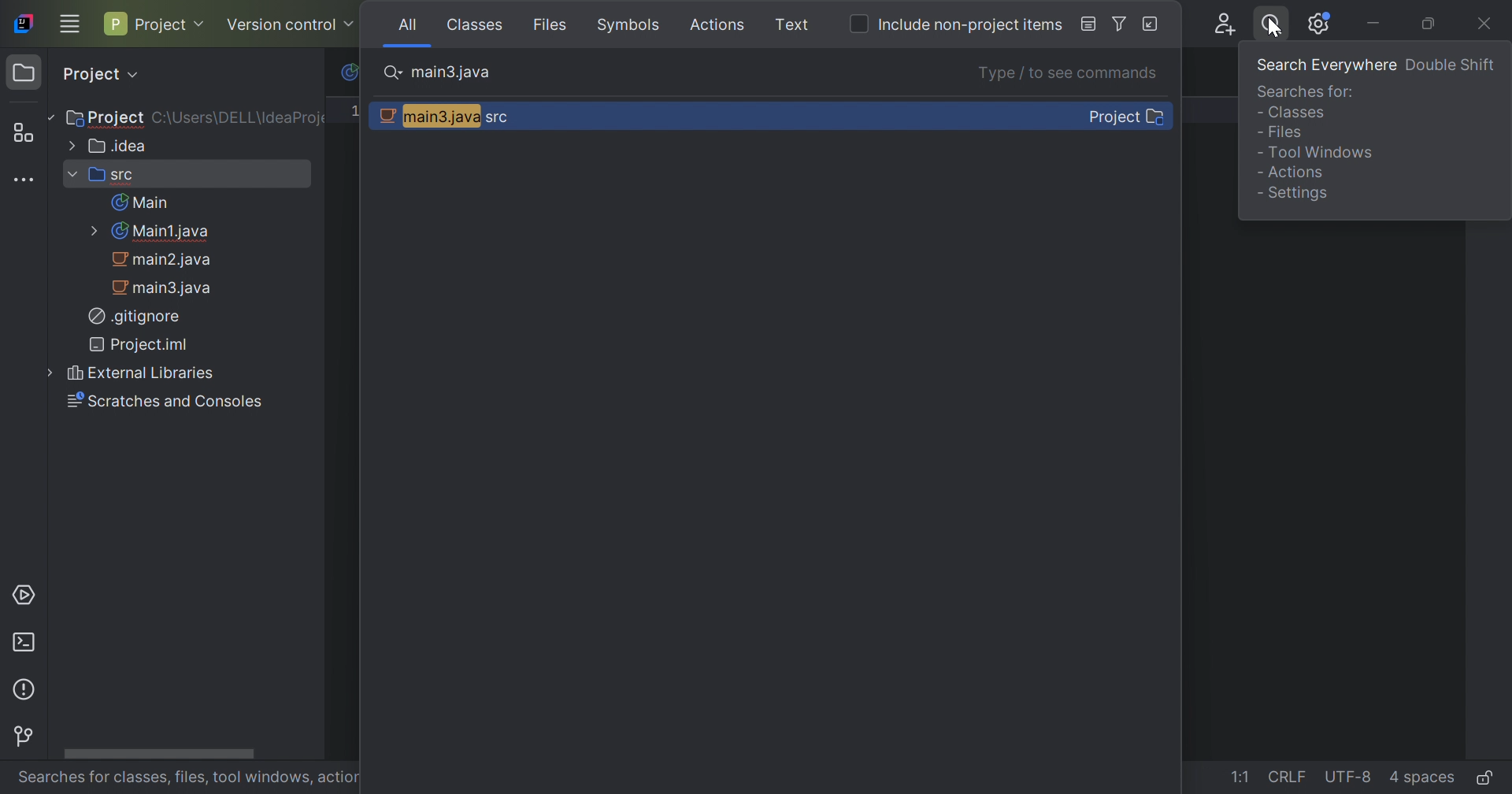  Describe the element at coordinates (721, 25) in the screenshot. I see `Actions` at that location.